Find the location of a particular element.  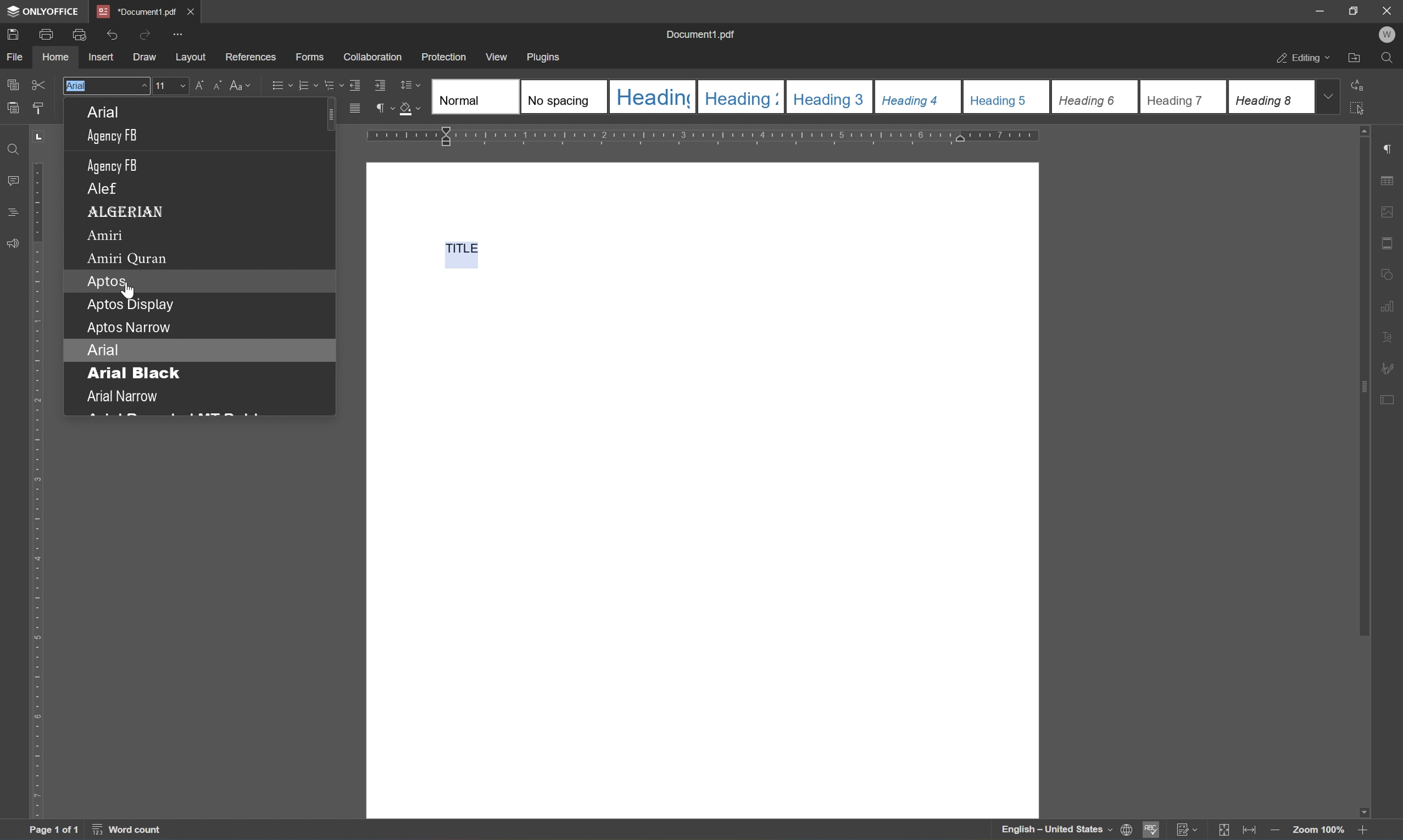

ruler is located at coordinates (36, 488).